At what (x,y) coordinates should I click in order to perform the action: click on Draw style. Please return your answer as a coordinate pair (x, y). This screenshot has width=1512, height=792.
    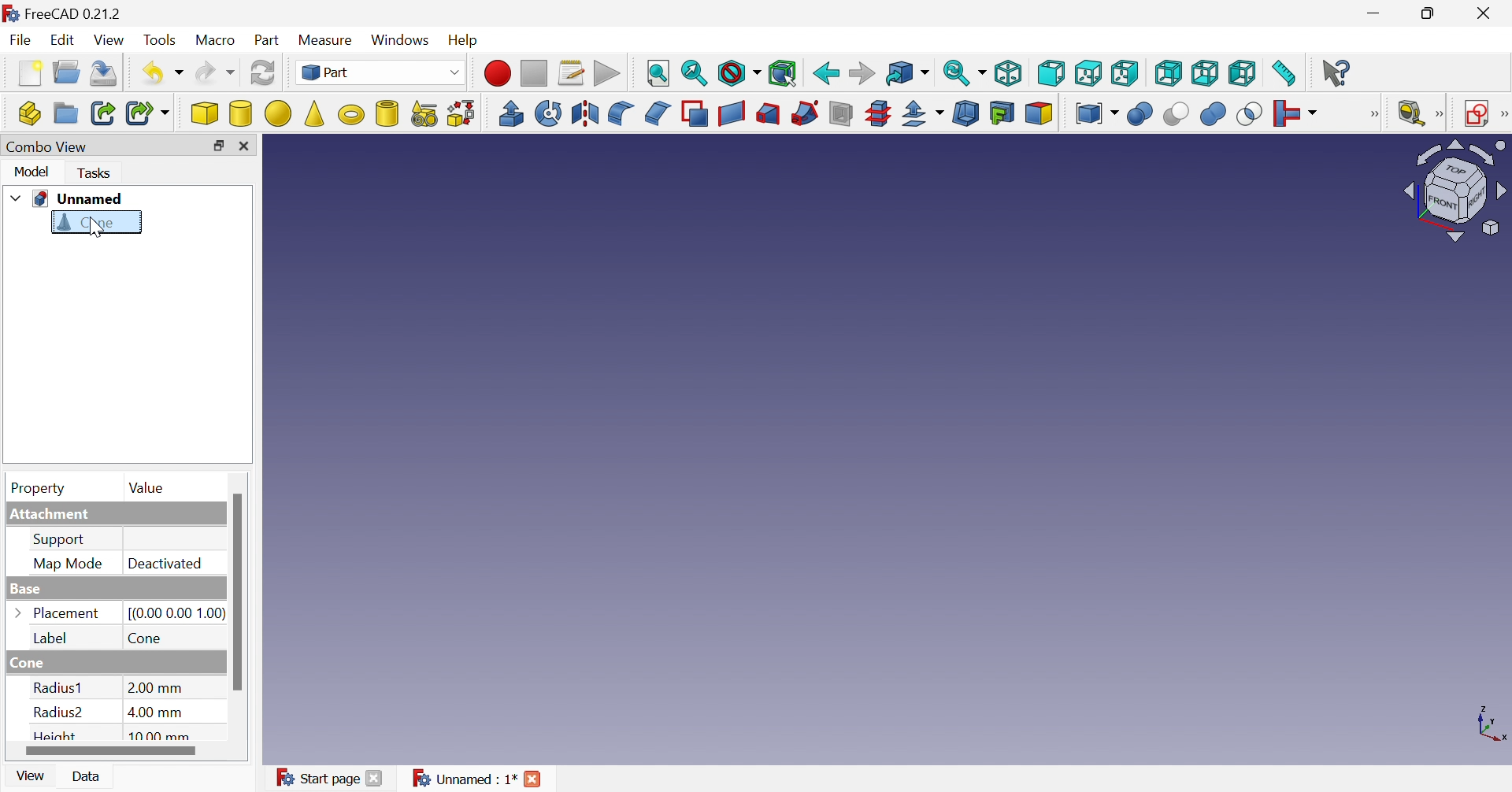
    Looking at the image, I should click on (739, 73).